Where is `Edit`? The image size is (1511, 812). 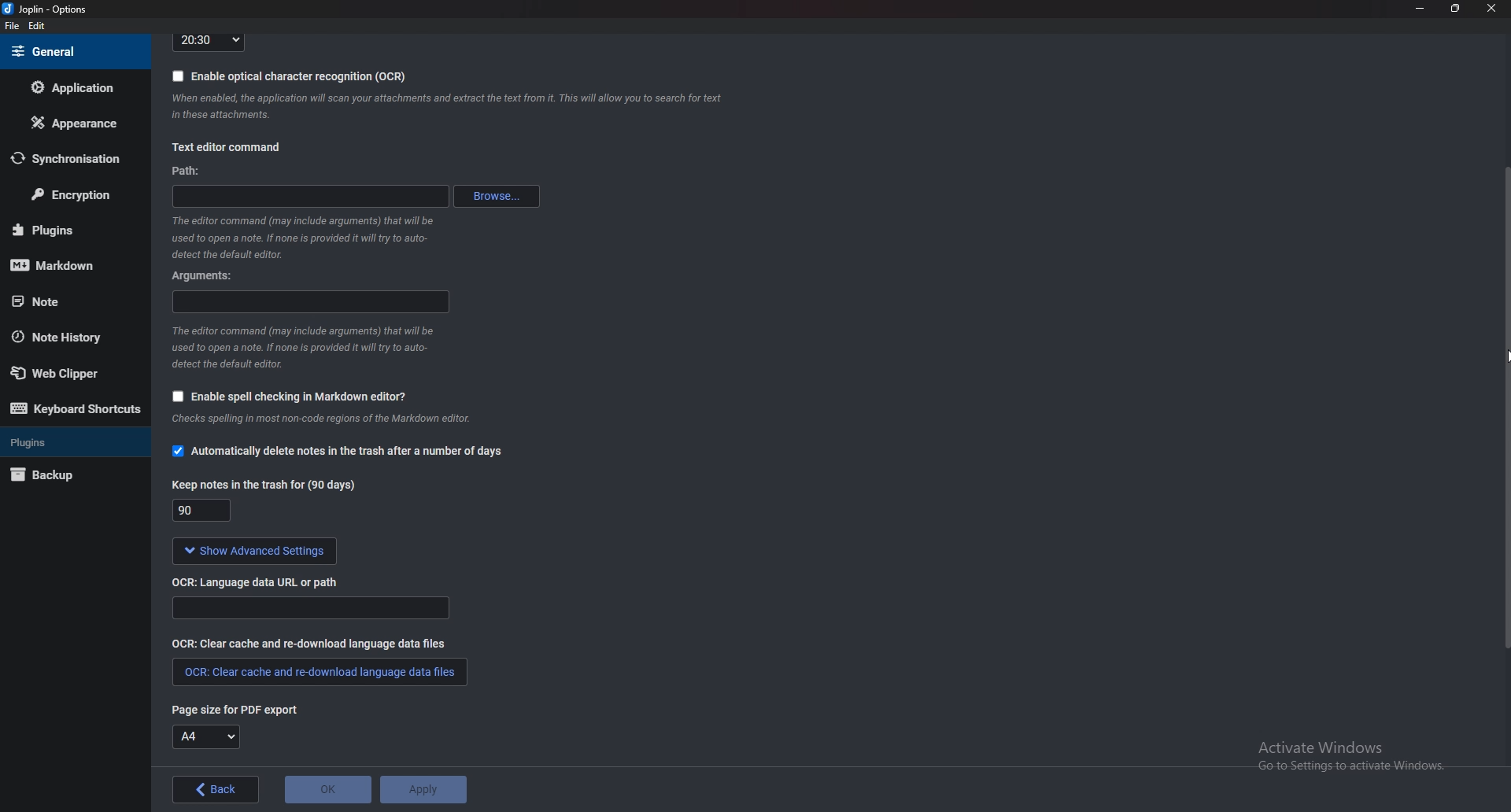
Edit is located at coordinates (36, 27).